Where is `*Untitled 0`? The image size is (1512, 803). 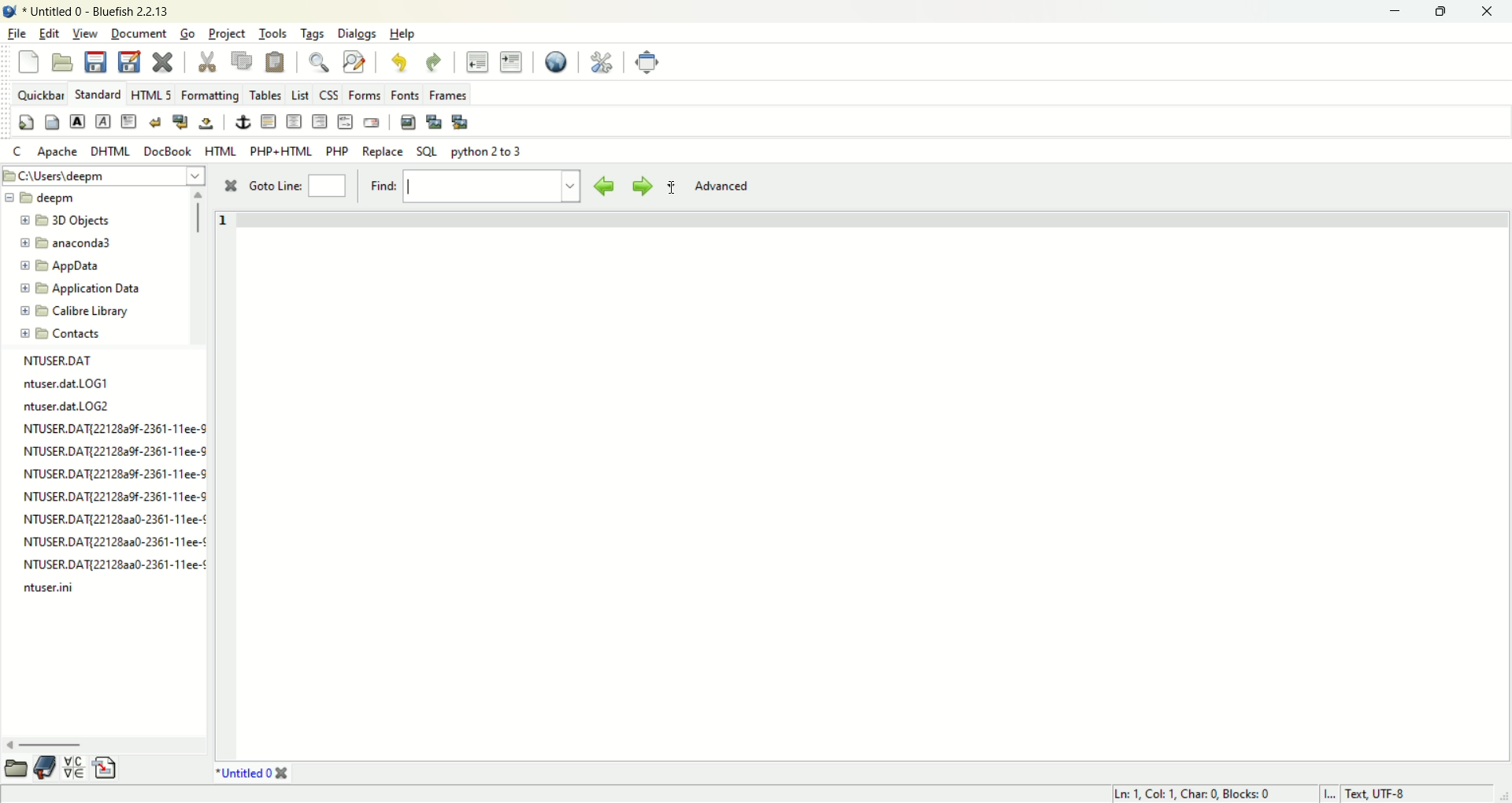
*Untitled 0 is located at coordinates (253, 773).